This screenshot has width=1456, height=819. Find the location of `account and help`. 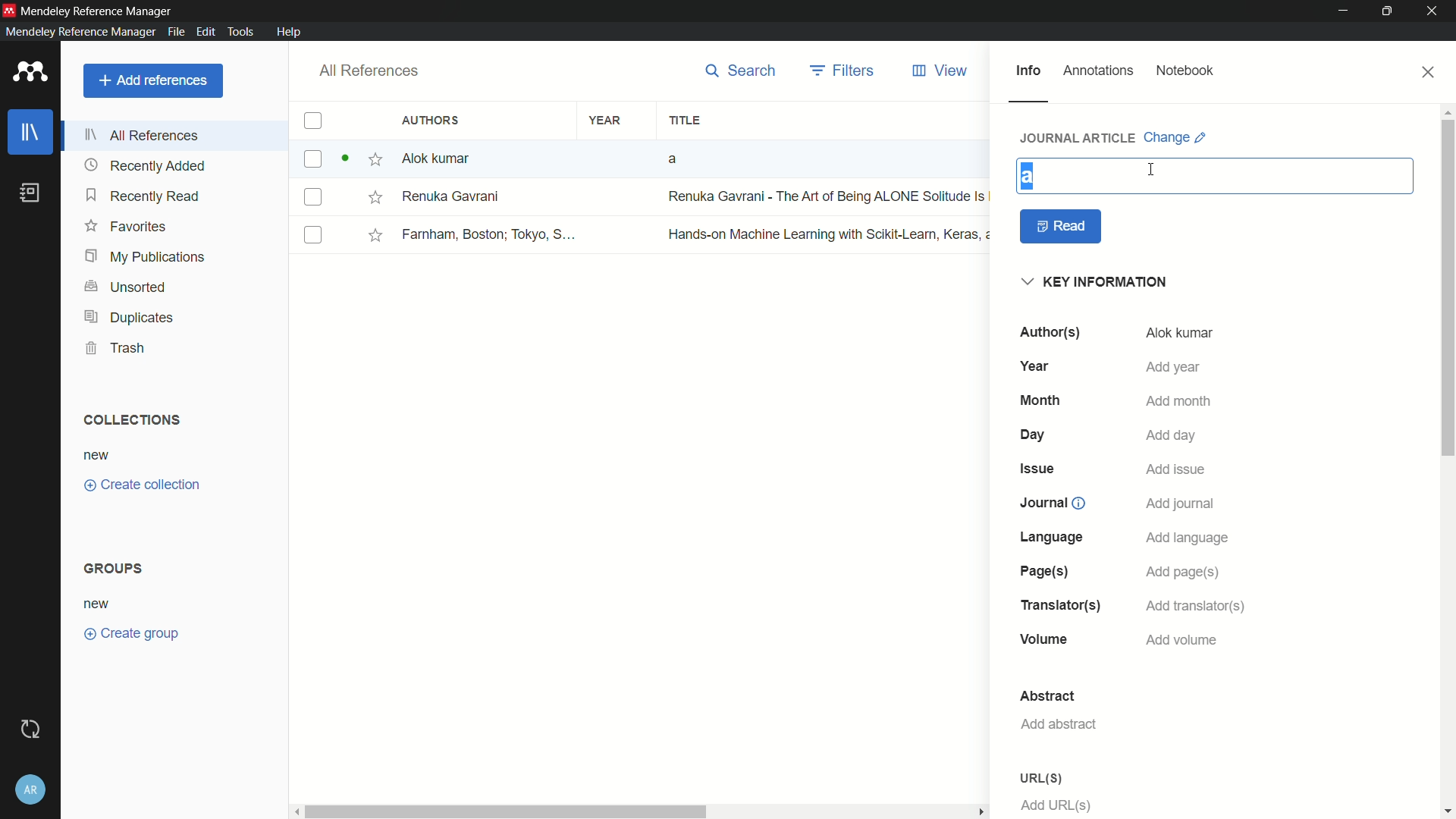

account and help is located at coordinates (33, 789).